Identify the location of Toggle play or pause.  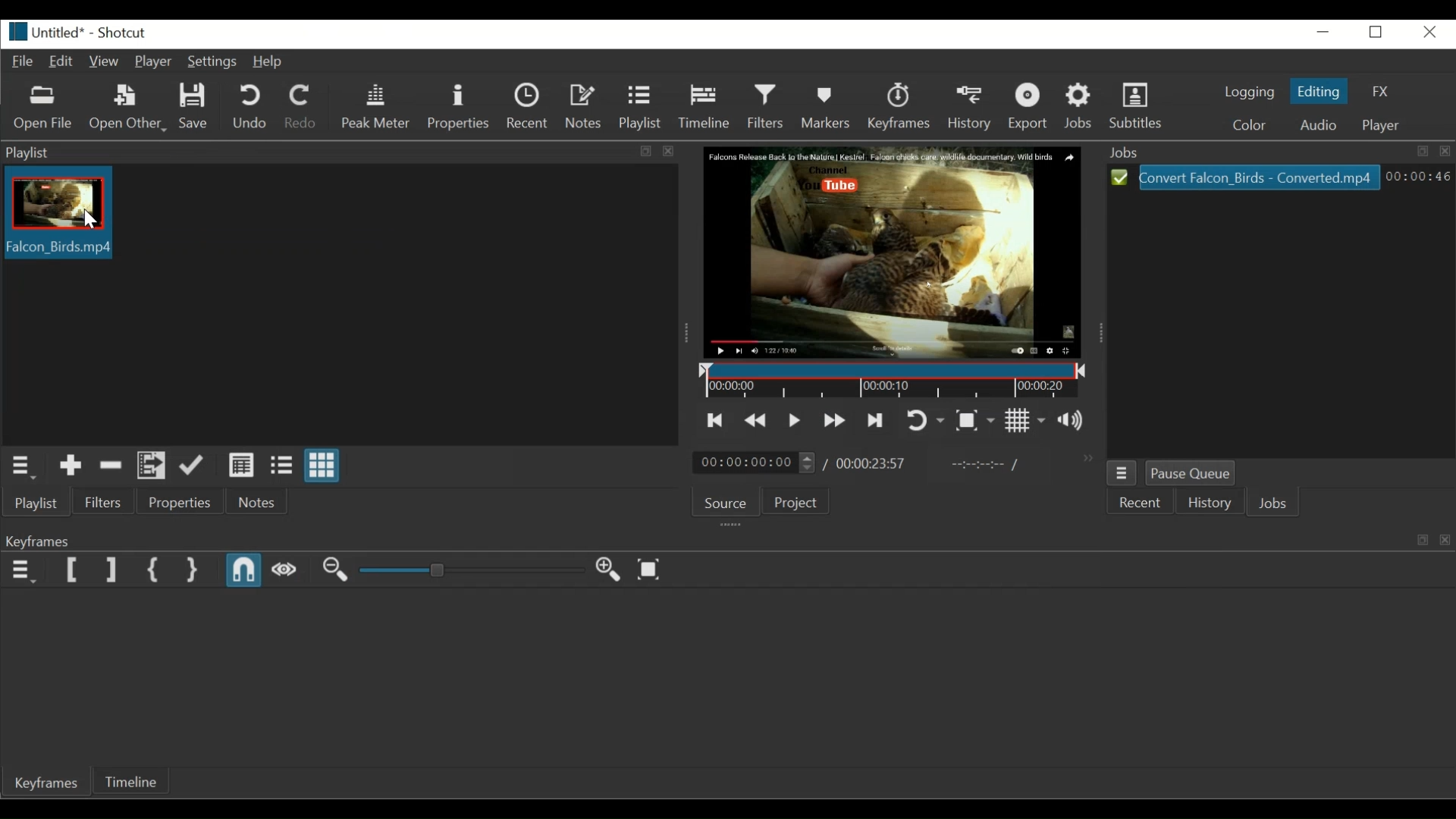
(792, 420).